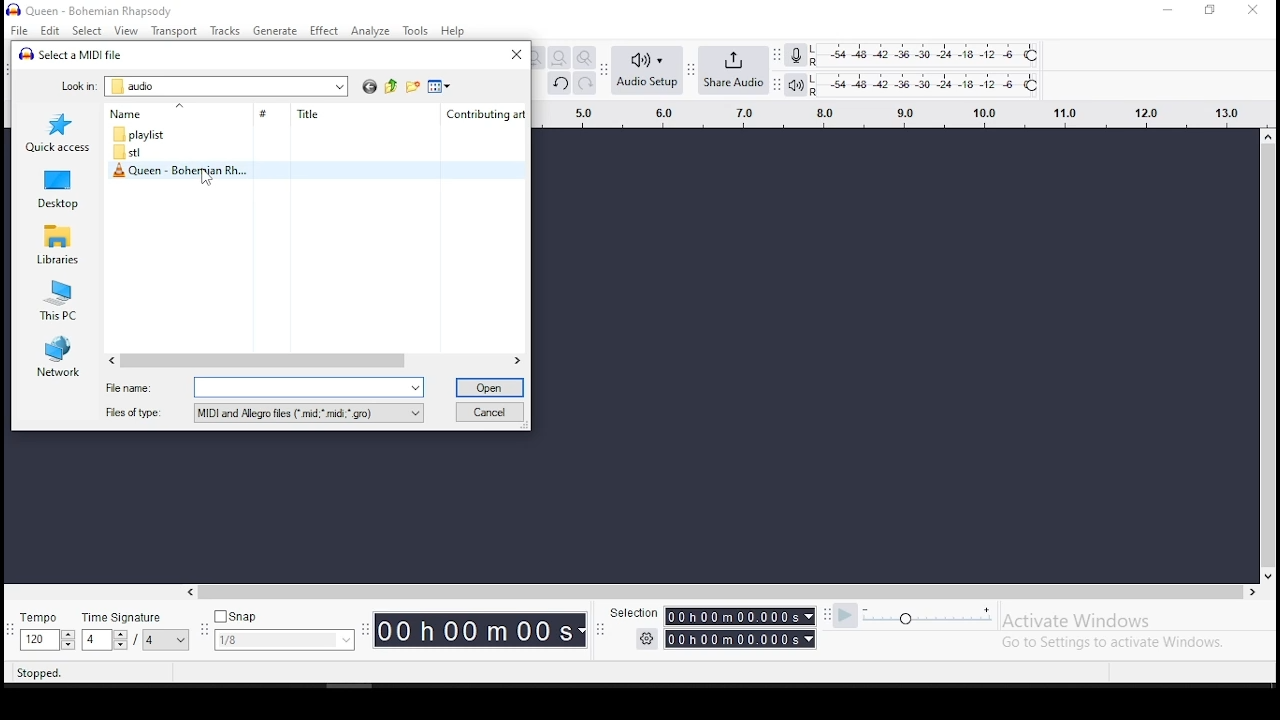 This screenshot has height=720, width=1280. What do you see at coordinates (796, 54) in the screenshot?
I see `recording level` at bounding box center [796, 54].